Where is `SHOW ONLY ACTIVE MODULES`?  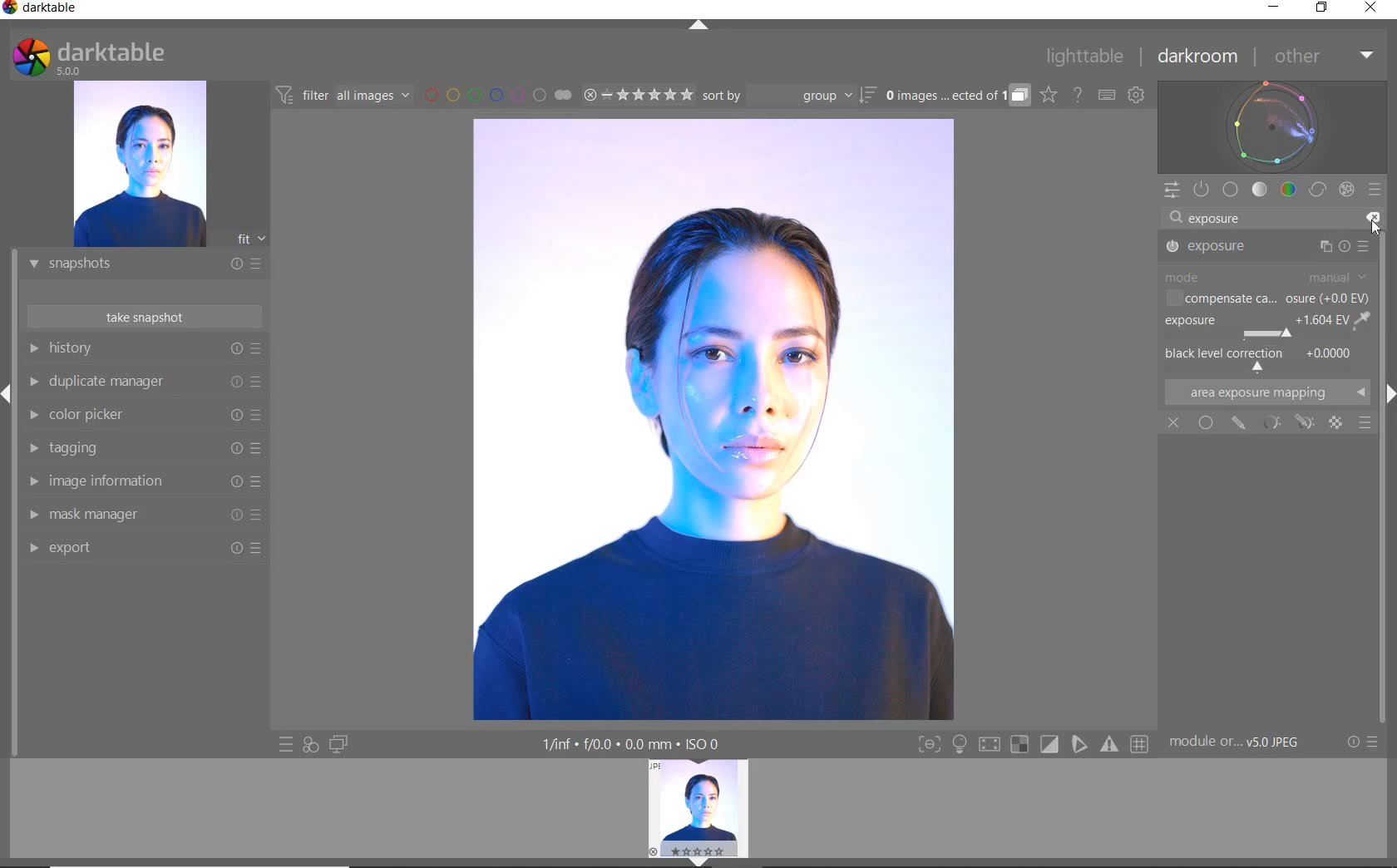
SHOW ONLY ACTIVE MODULES is located at coordinates (1202, 190).